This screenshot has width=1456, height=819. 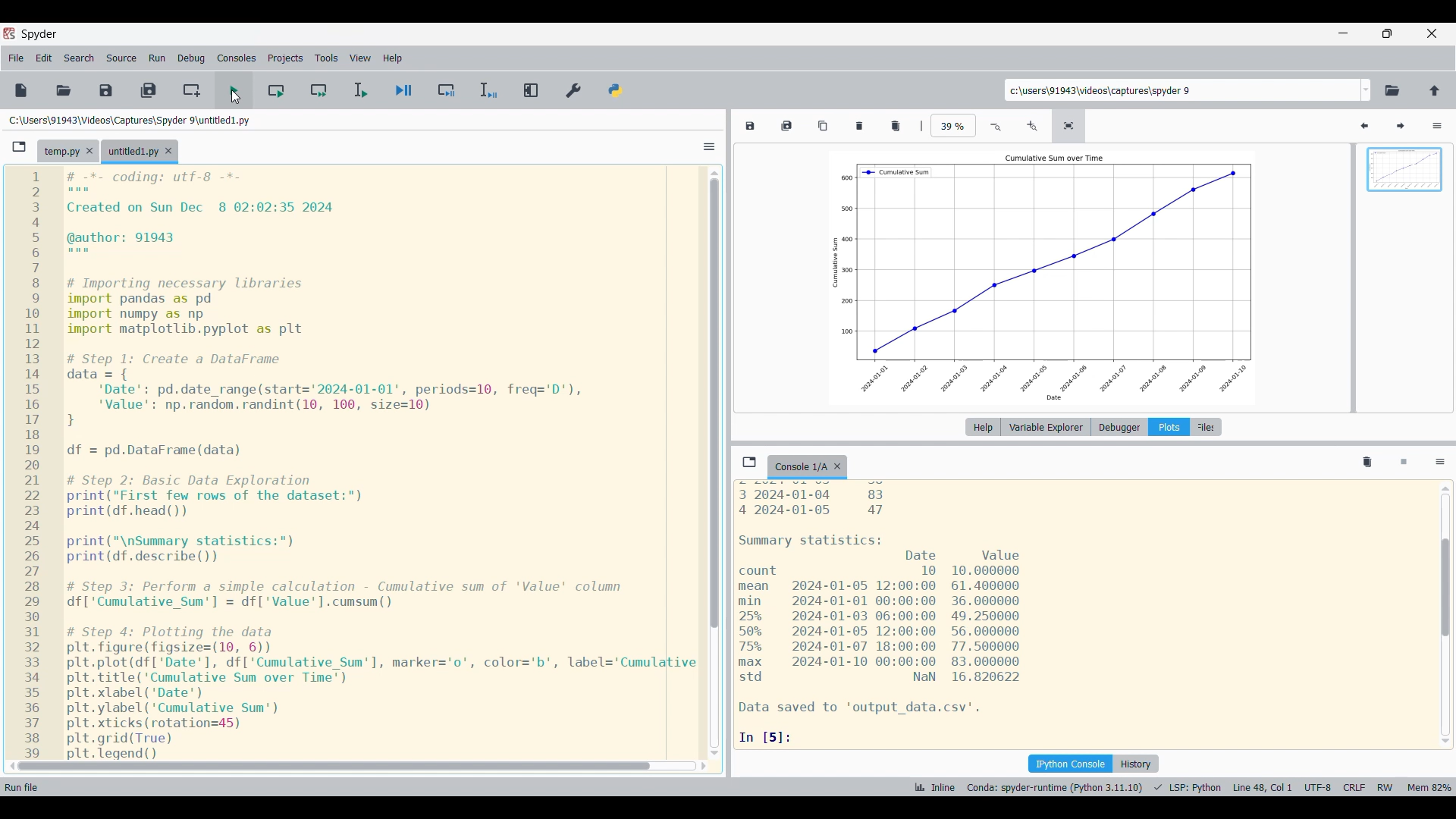 What do you see at coordinates (22, 90) in the screenshot?
I see `new file` at bounding box center [22, 90].